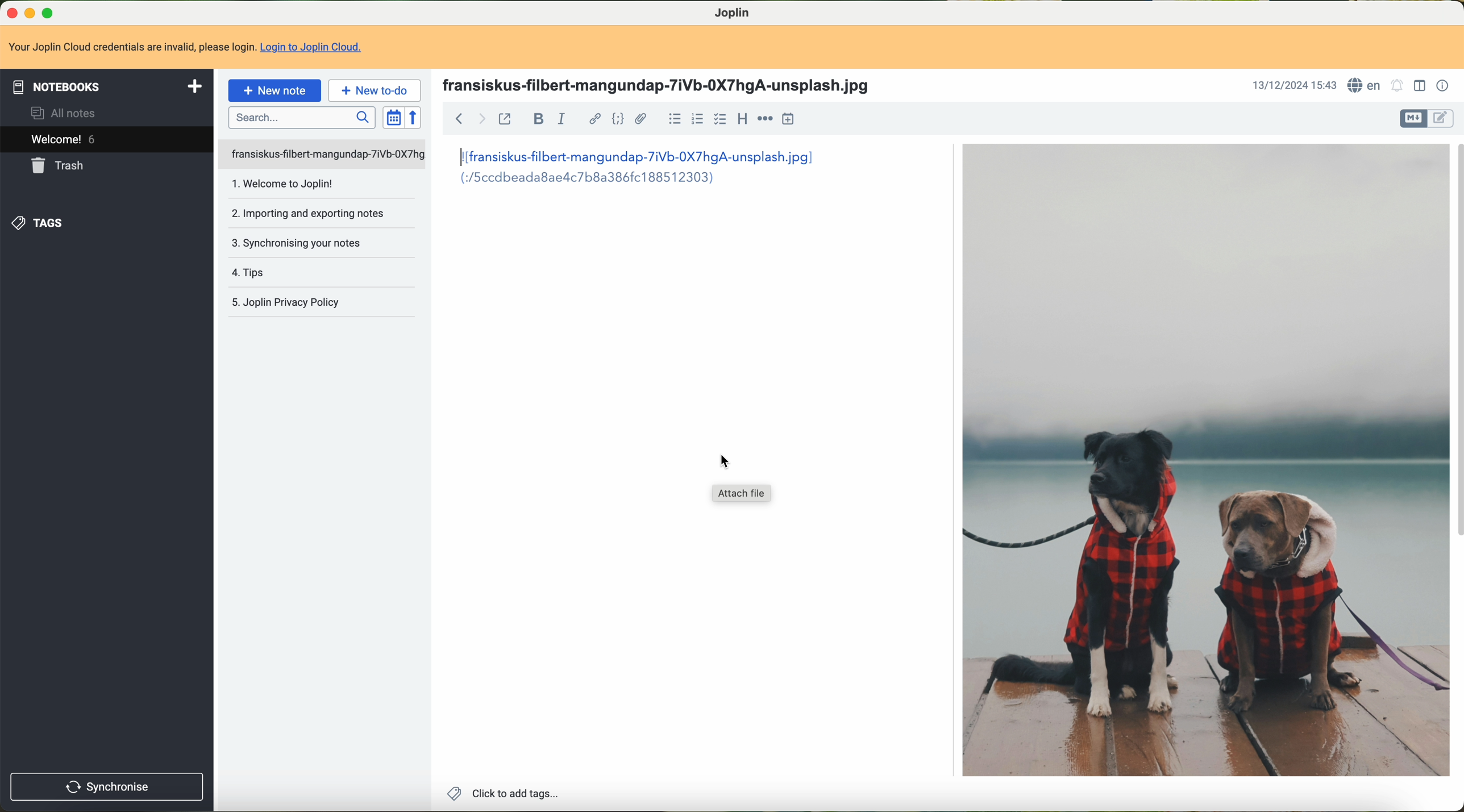 The width and height of the screenshot is (1464, 812). Describe the element at coordinates (595, 118) in the screenshot. I see `hyperlink` at that location.